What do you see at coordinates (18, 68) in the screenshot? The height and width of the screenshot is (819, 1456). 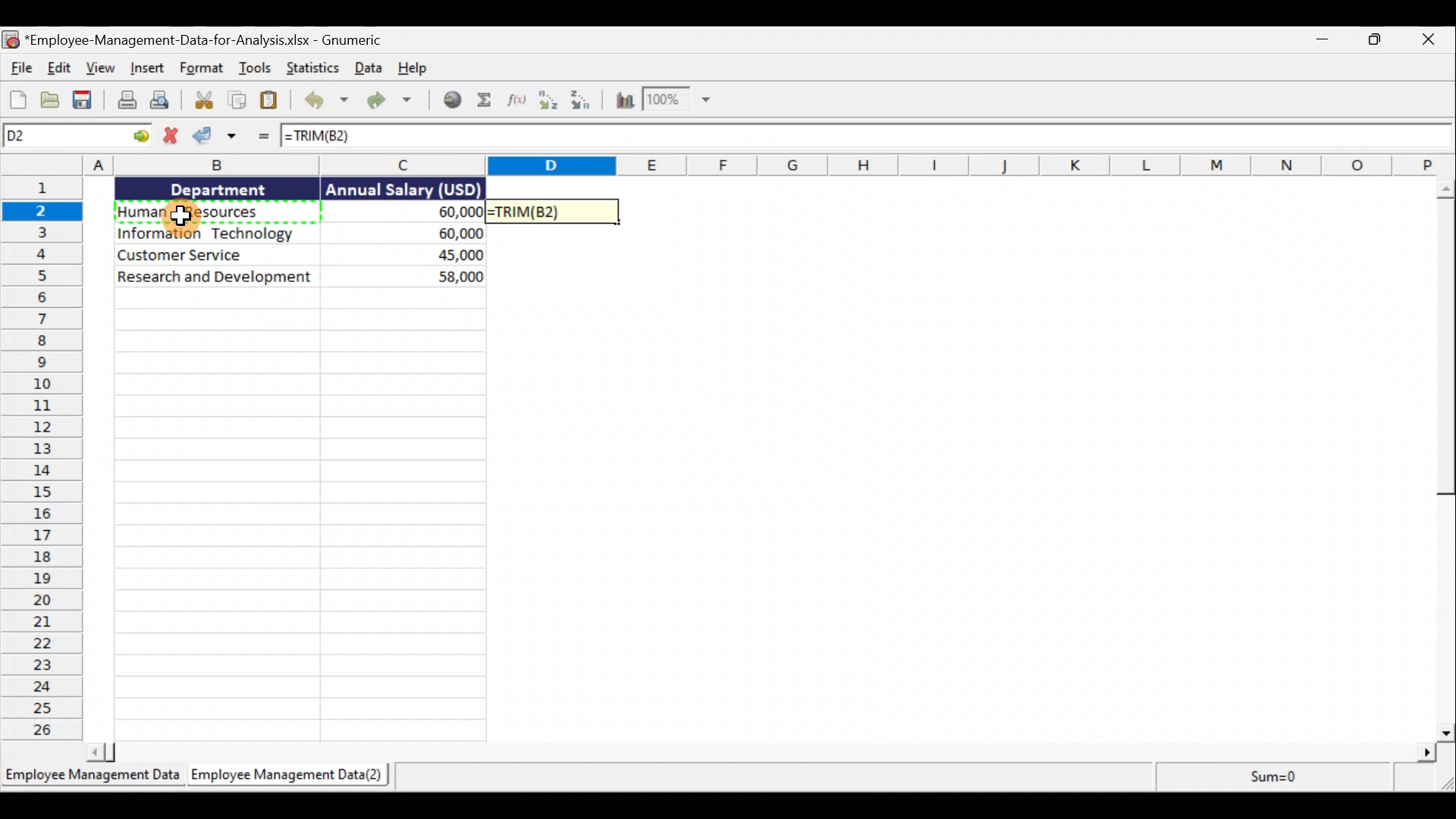 I see `File` at bounding box center [18, 68].